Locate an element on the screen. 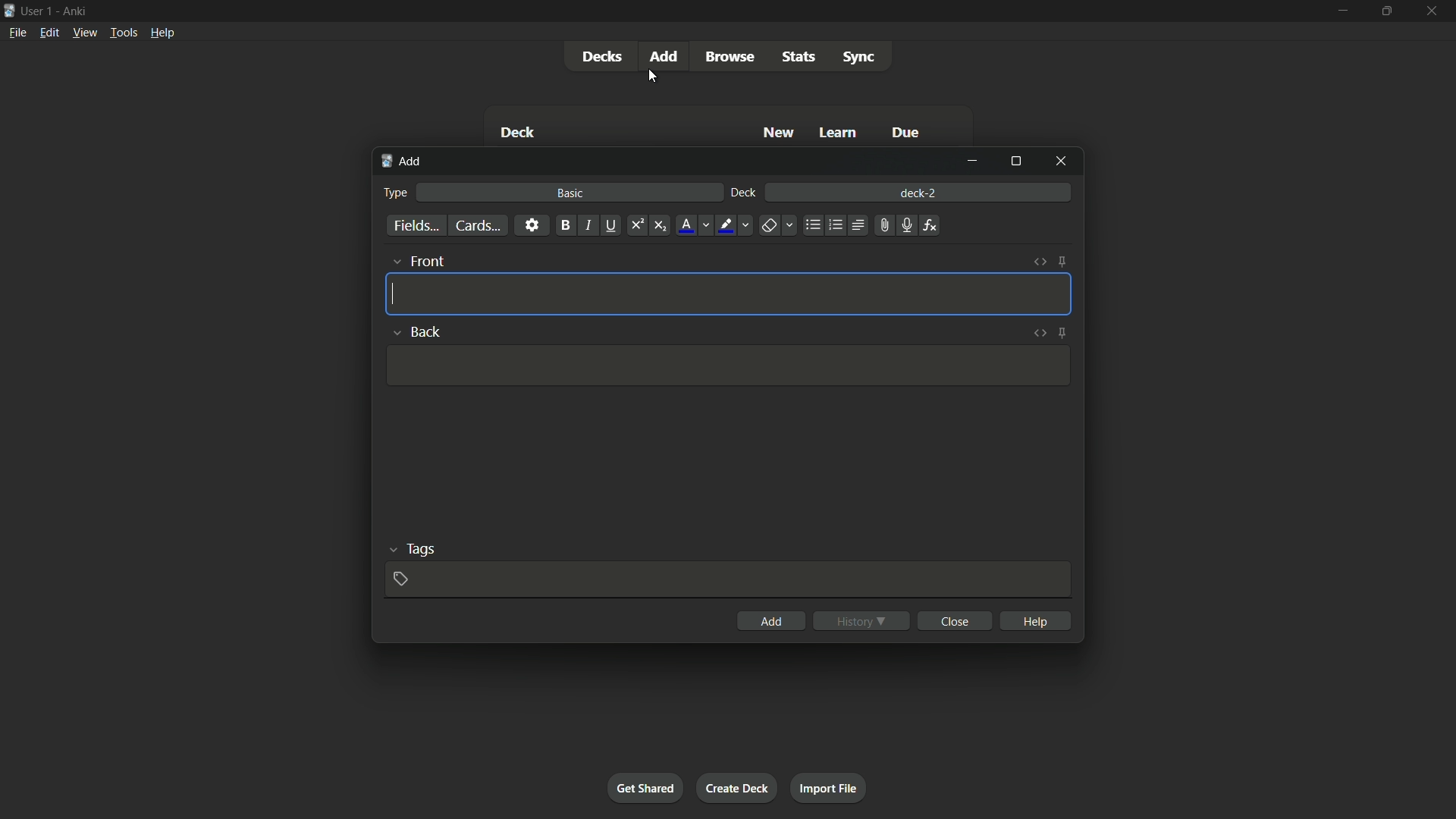 The width and height of the screenshot is (1456, 819). deck is located at coordinates (521, 132).